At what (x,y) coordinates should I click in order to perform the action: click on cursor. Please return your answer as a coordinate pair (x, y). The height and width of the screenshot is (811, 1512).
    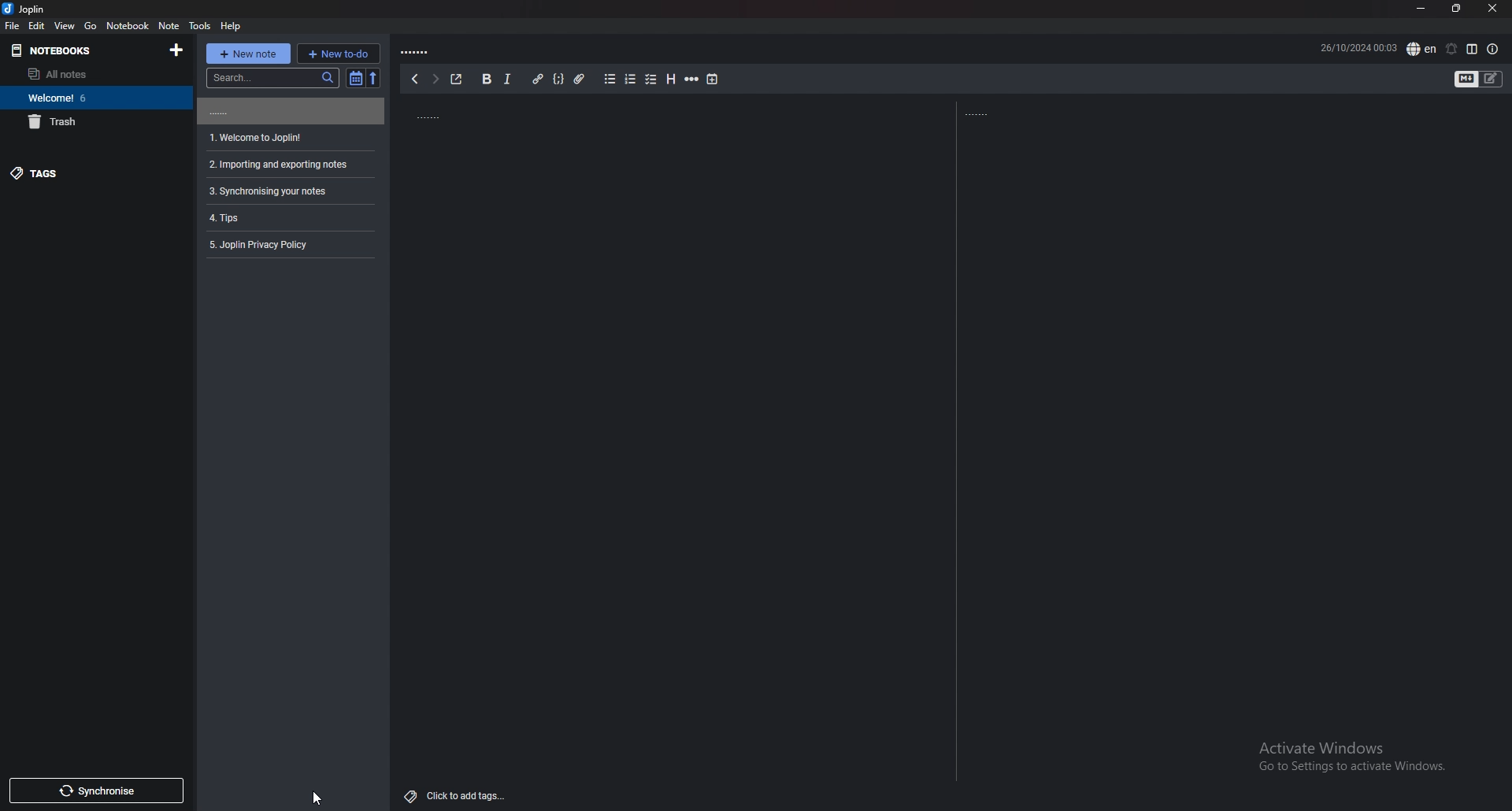
    Looking at the image, I should click on (317, 798).